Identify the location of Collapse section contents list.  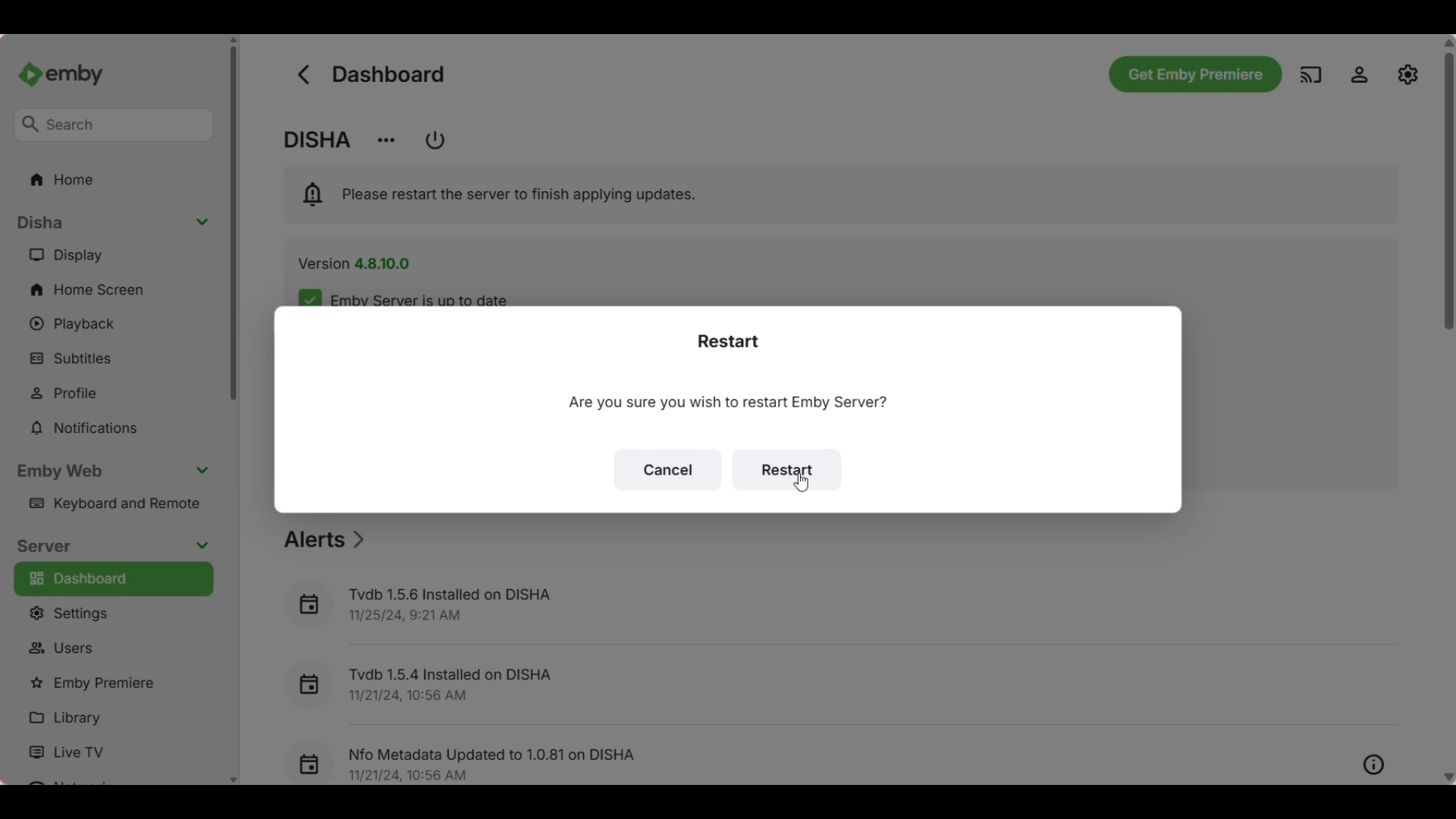
(113, 223).